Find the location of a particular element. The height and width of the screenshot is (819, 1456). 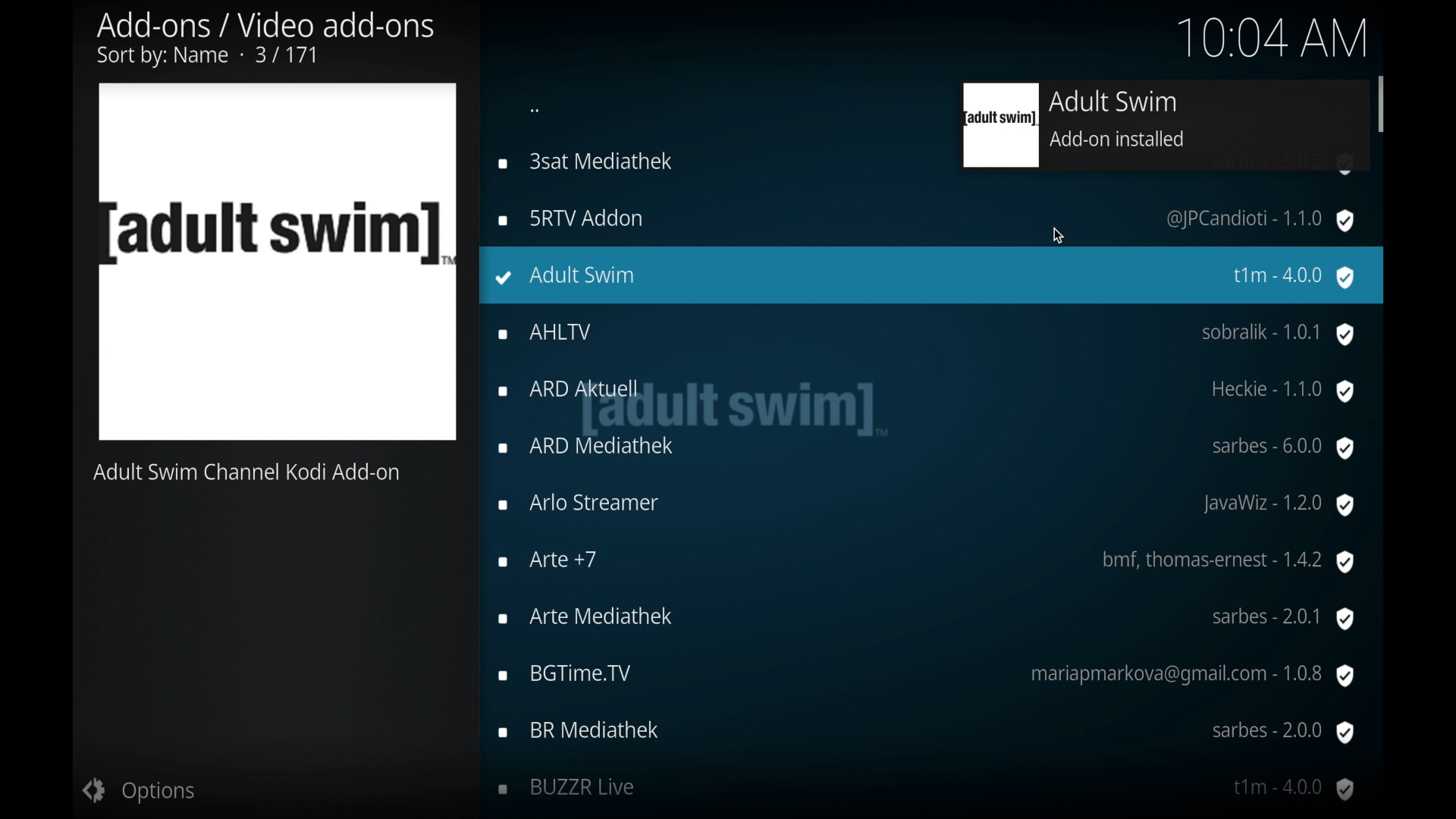

options is located at coordinates (136, 790).